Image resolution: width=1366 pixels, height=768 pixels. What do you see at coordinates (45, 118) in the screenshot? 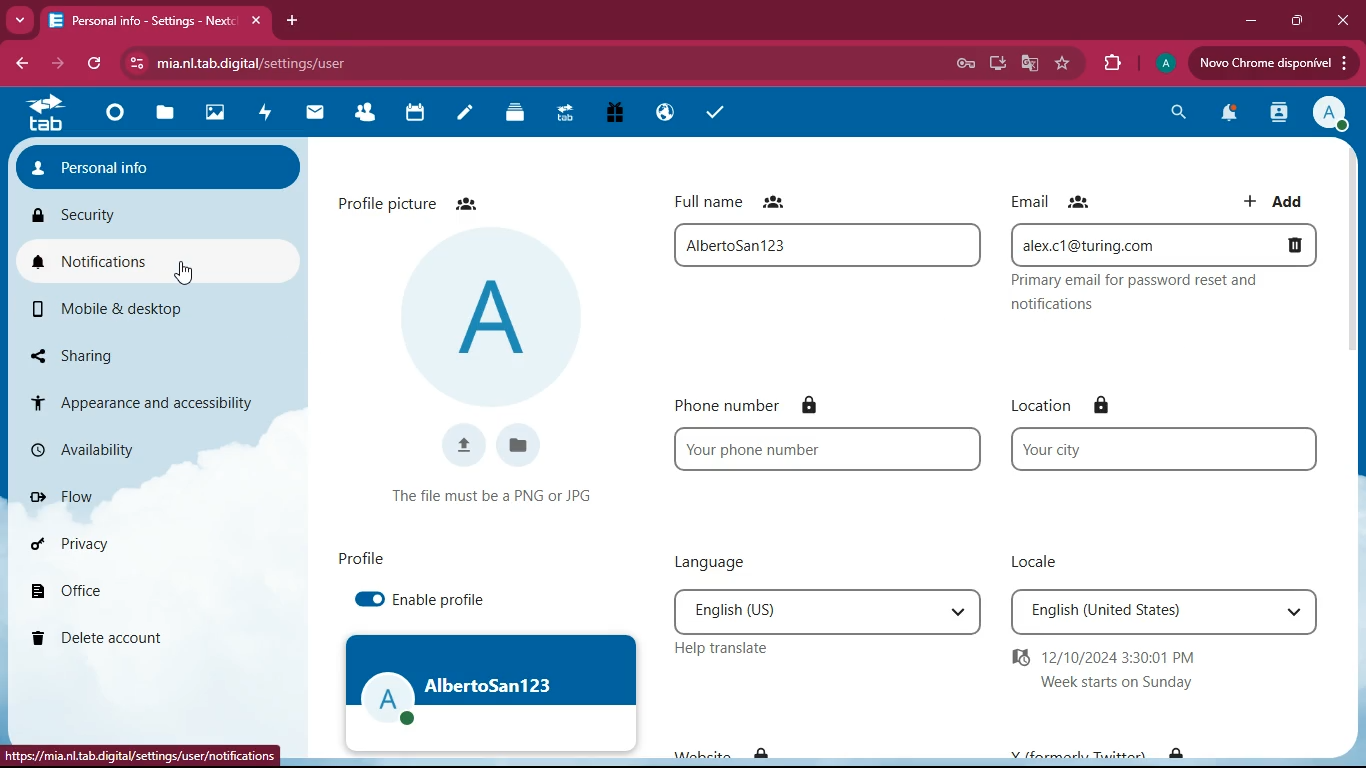
I see `tab` at bounding box center [45, 118].